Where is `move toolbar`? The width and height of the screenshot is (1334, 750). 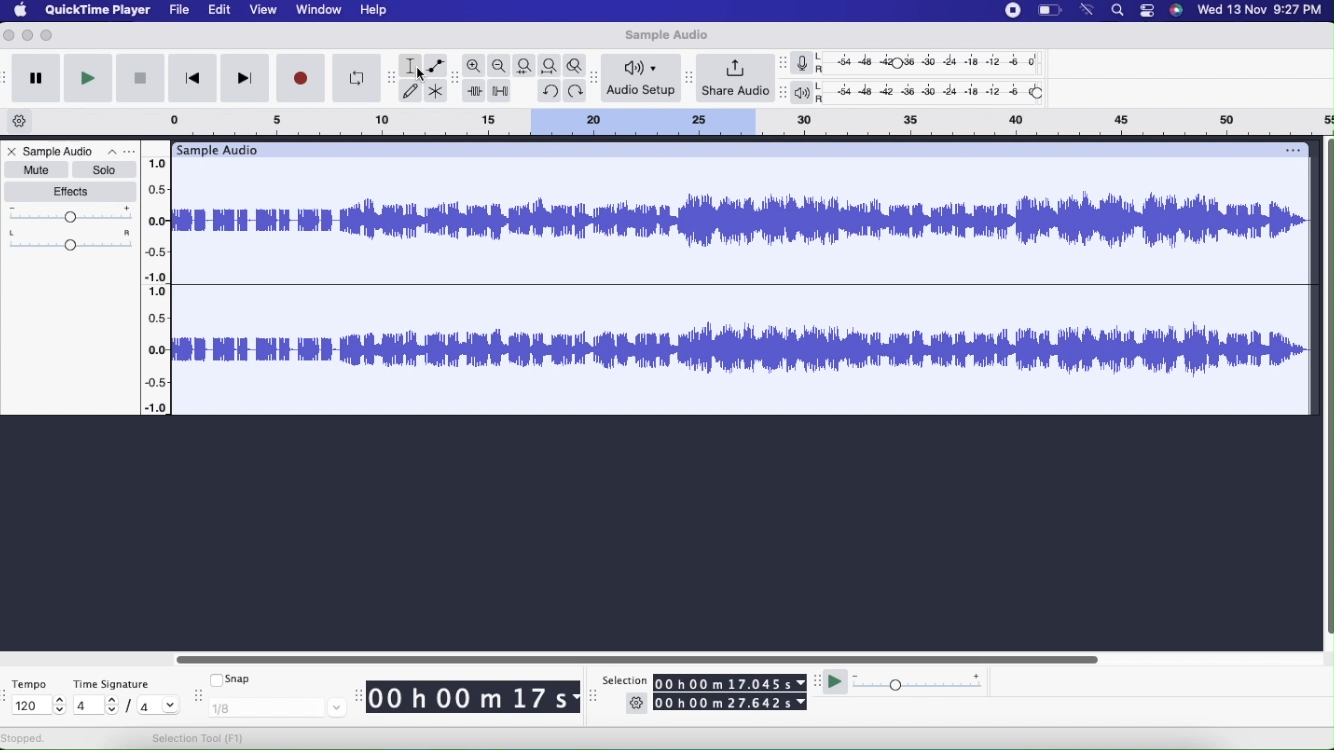
move toolbar is located at coordinates (201, 692).